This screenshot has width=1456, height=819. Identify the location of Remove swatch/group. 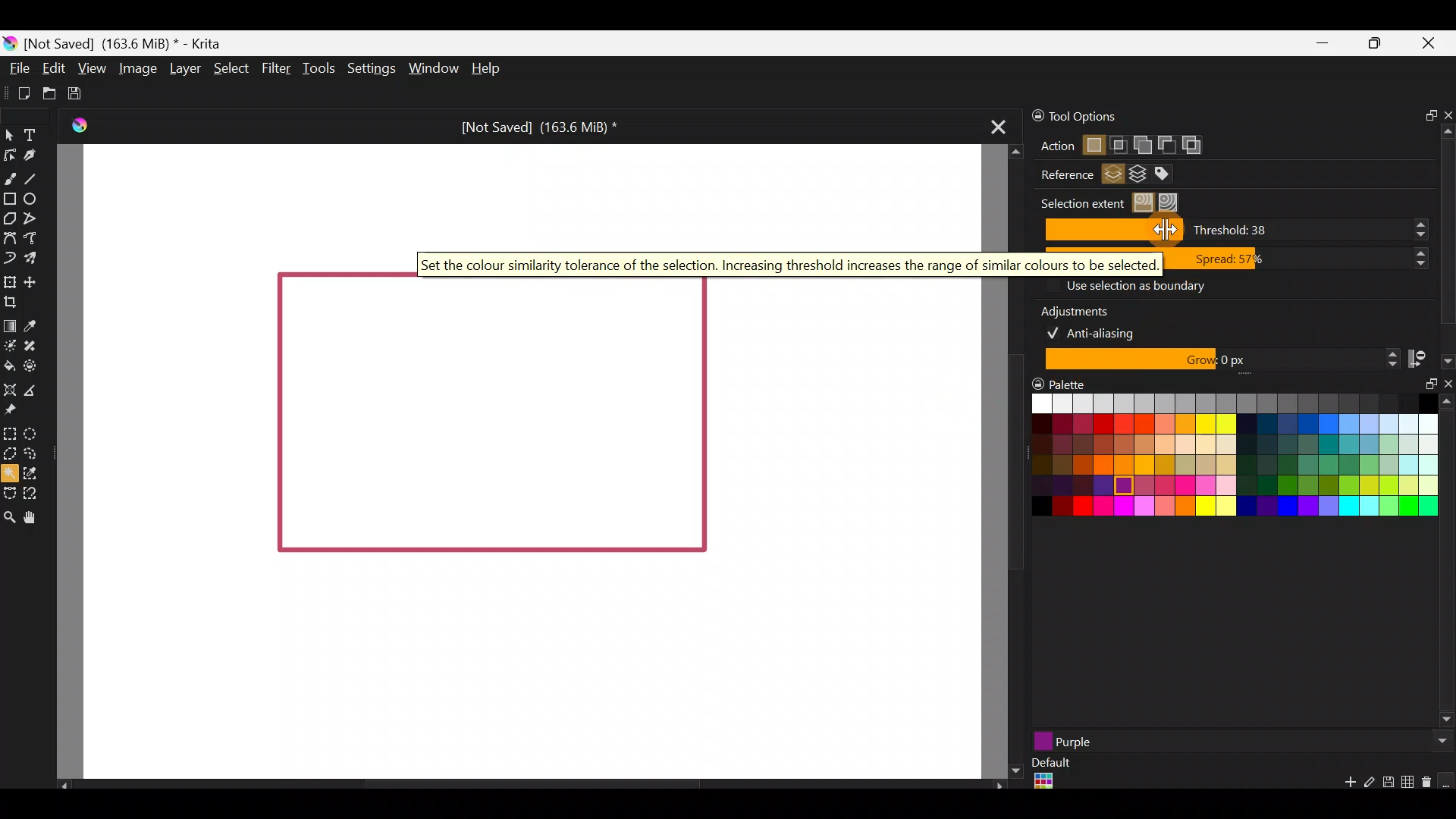
(1429, 787).